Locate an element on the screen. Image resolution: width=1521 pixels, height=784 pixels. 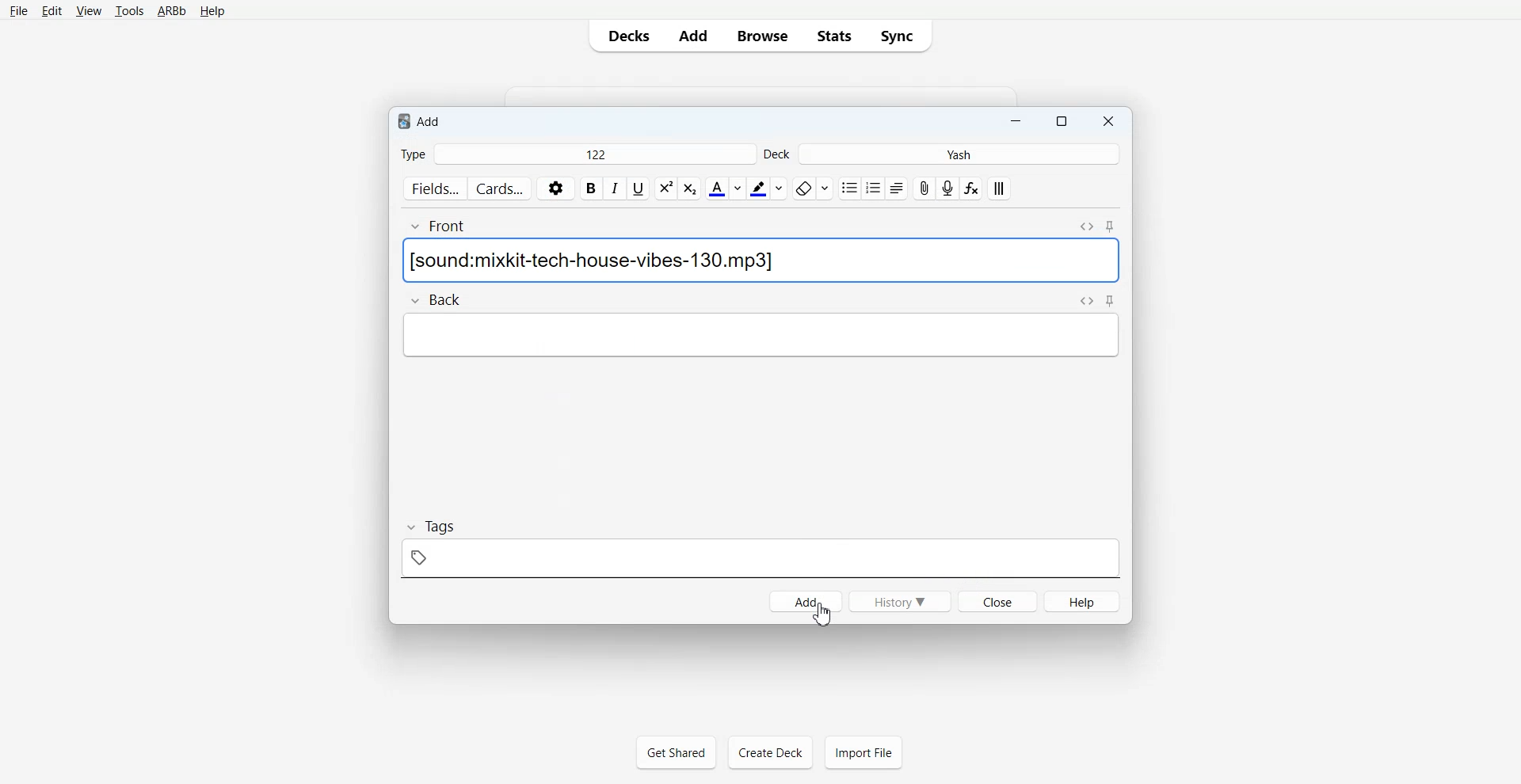
text color is located at coordinates (725, 188).